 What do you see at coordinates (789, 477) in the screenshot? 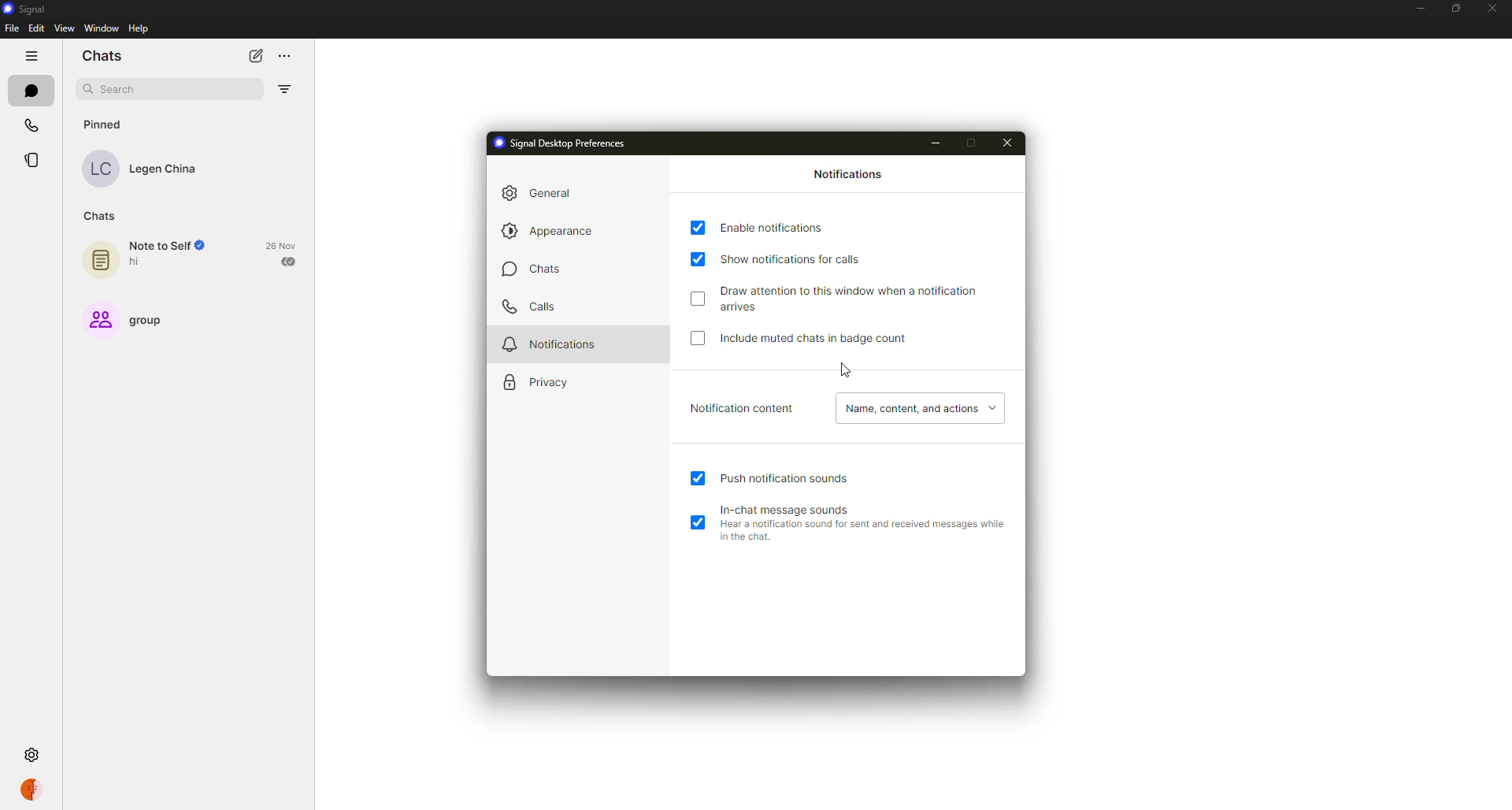
I see `push notification sound` at bounding box center [789, 477].